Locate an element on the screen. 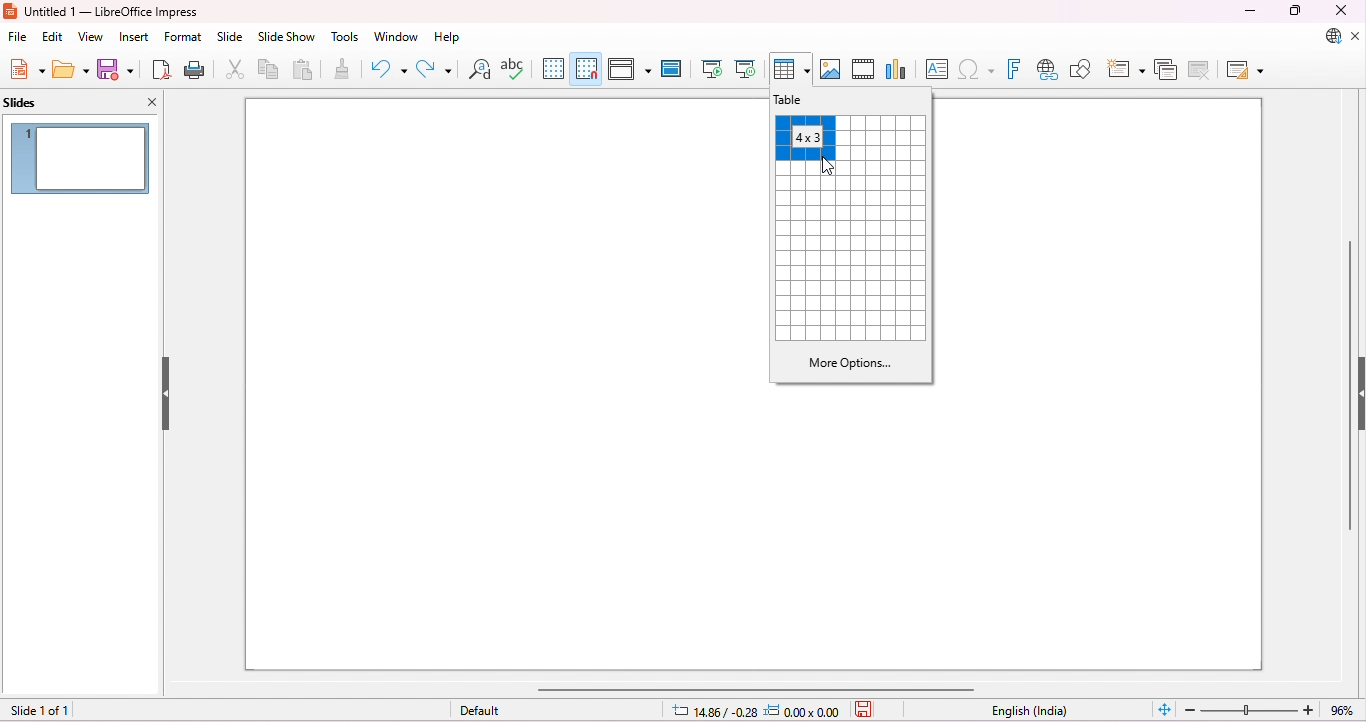 The height and width of the screenshot is (722, 1366). paste is located at coordinates (305, 71).